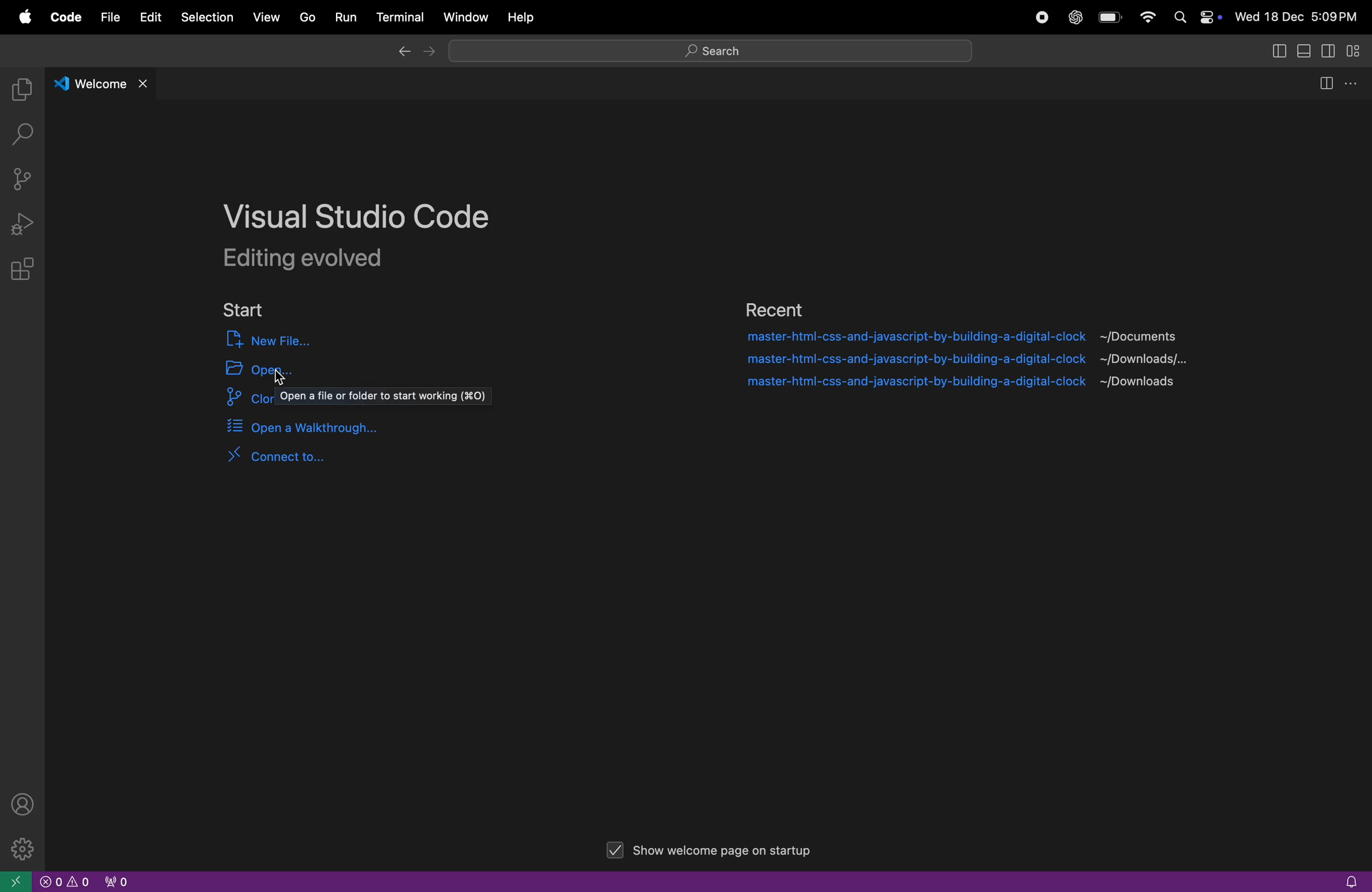 The width and height of the screenshot is (1372, 892). Describe the element at coordinates (360, 211) in the screenshot. I see `Visual studio code` at that location.